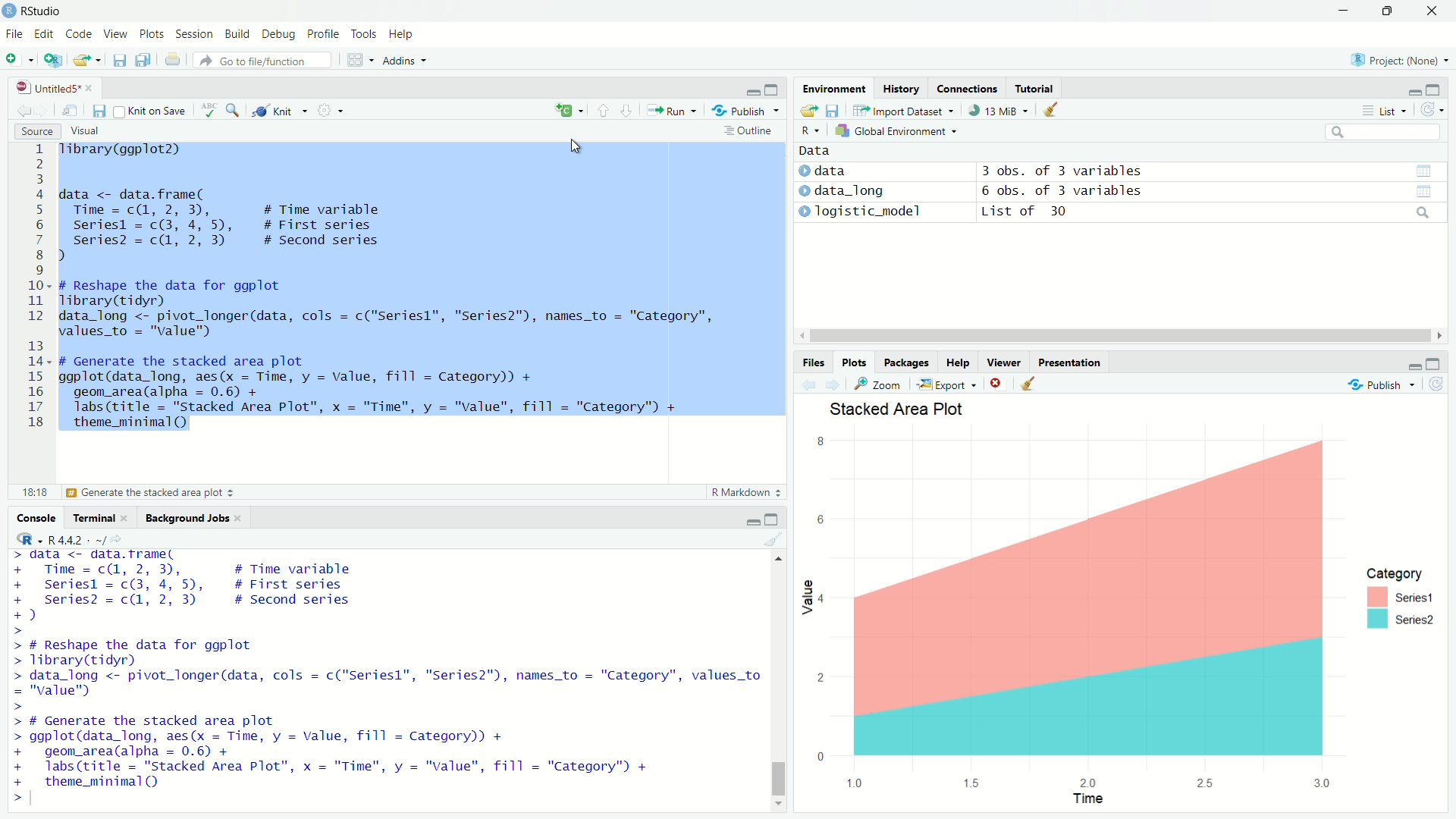  What do you see at coordinates (807, 384) in the screenshot?
I see `back` at bounding box center [807, 384].